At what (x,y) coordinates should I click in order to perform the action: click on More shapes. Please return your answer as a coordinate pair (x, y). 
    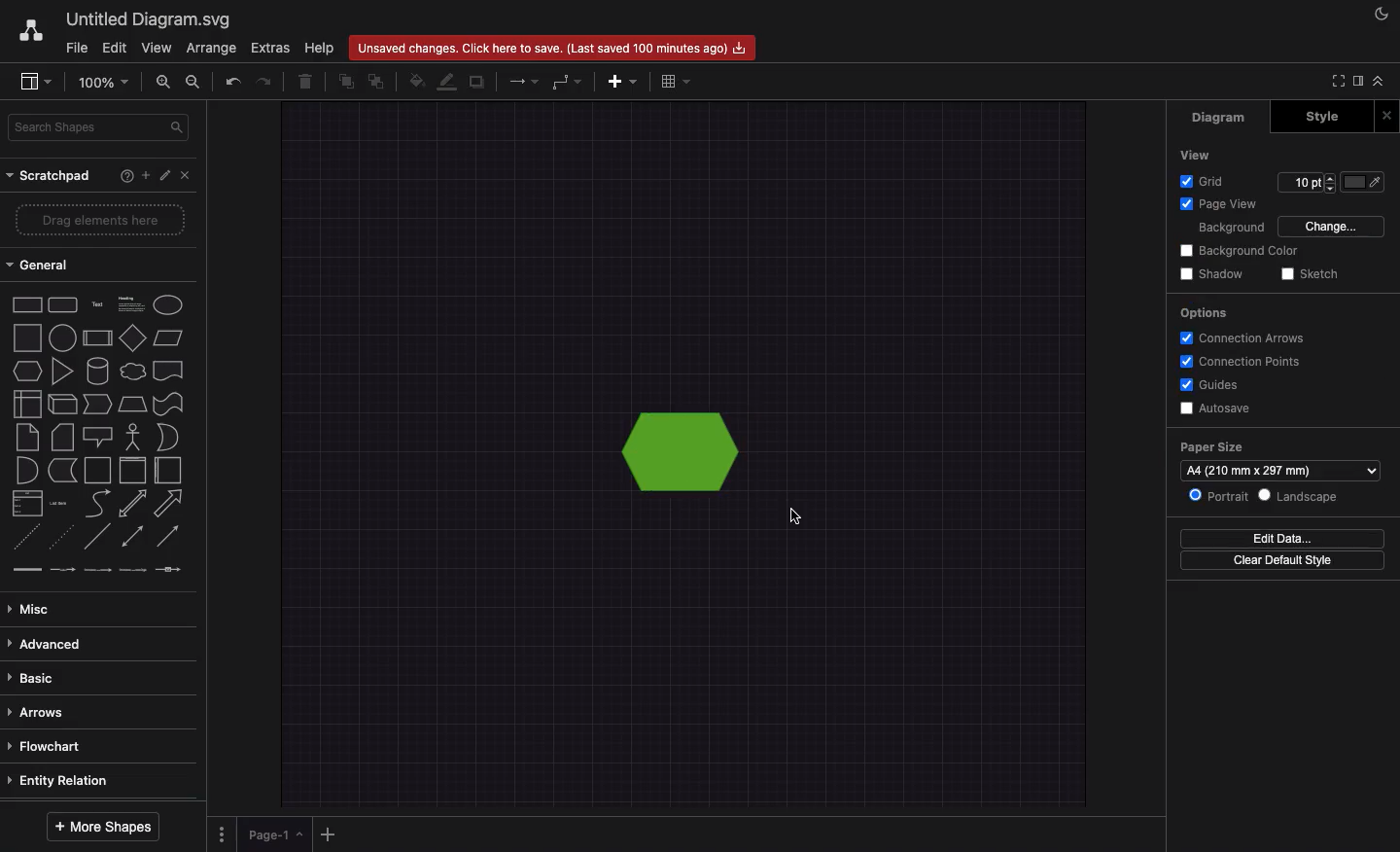
    Looking at the image, I should click on (103, 826).